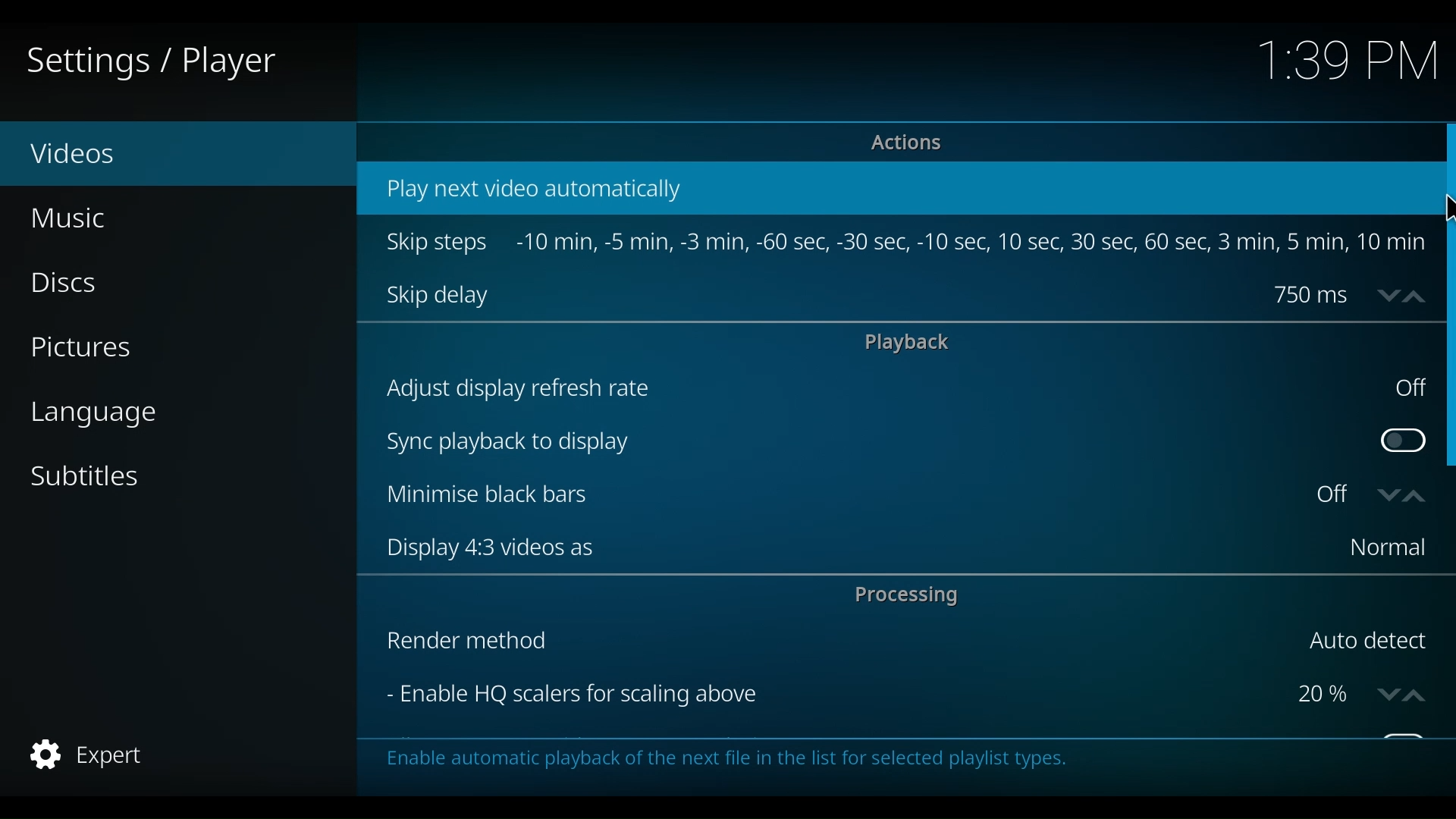  I want to click on Subtitles, so click(86, 475).